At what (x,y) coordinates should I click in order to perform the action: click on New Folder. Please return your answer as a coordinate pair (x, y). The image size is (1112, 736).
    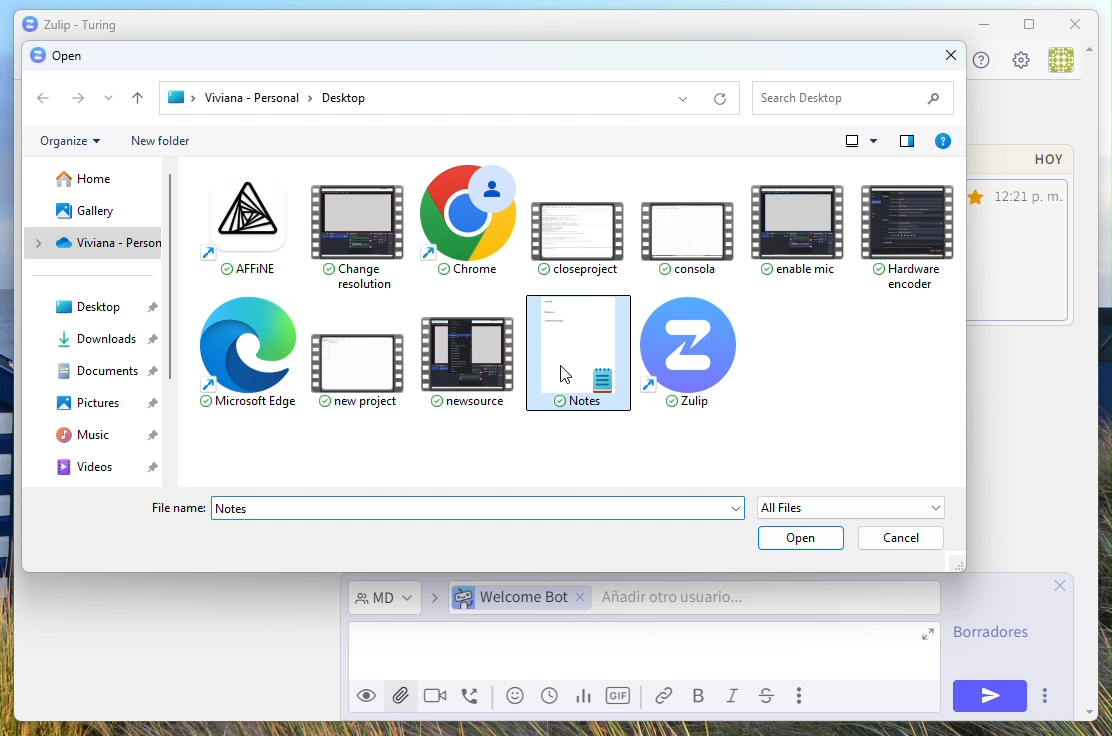
    Looking at the image, I should click on (160, 141).